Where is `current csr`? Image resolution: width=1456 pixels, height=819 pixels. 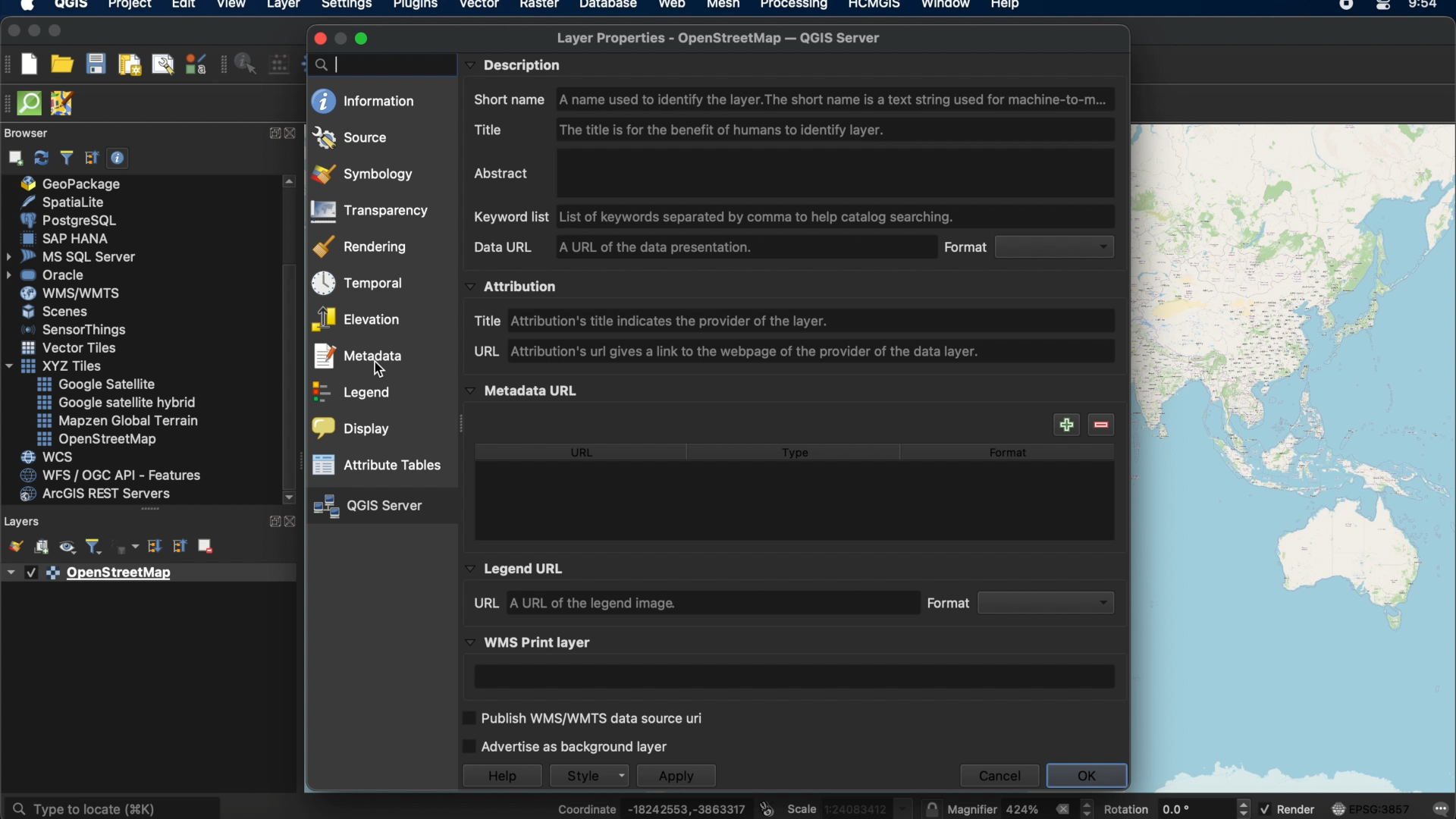
current csr is located at coordinates (1372, 808).